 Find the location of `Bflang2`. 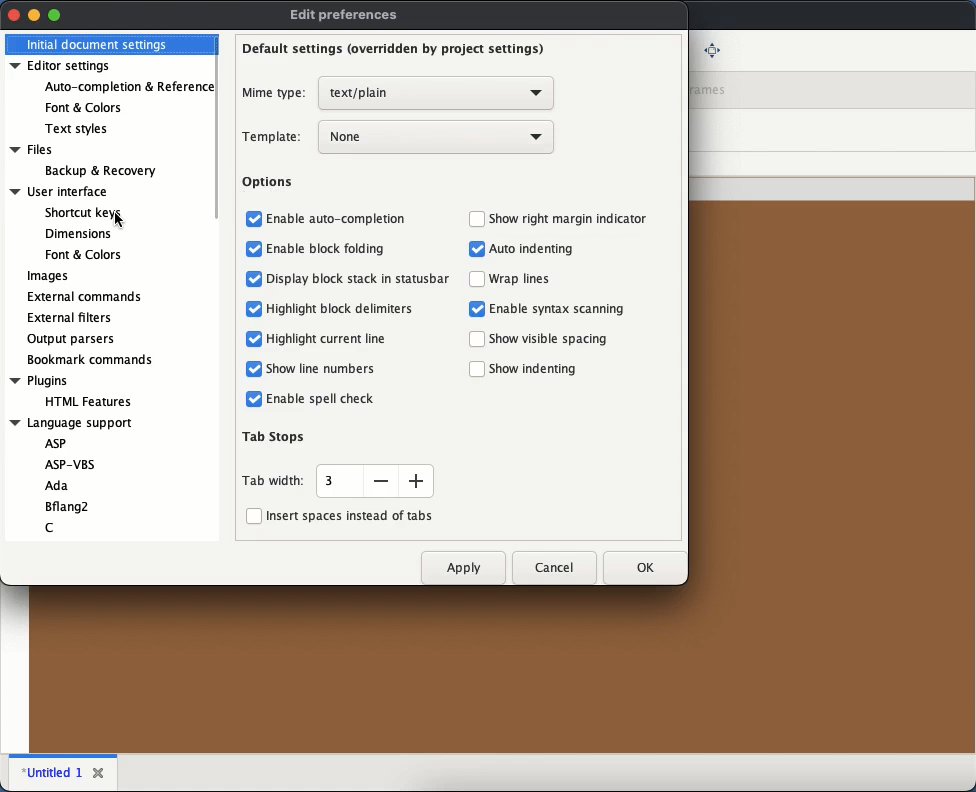

Bflang2 is located at coordinates (75, 506).